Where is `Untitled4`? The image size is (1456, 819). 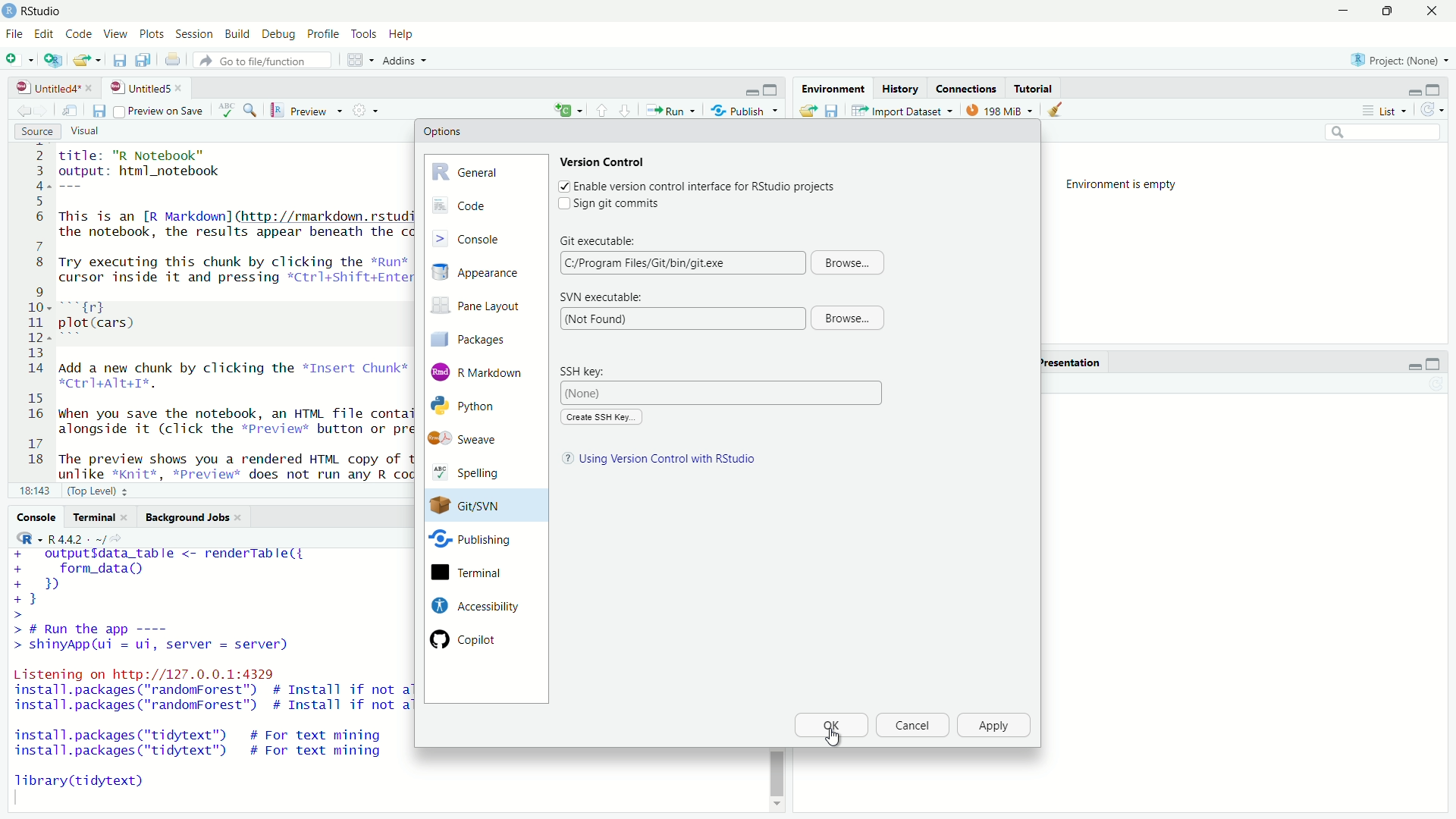
Untitled4 is located at coordinates (43, 88).